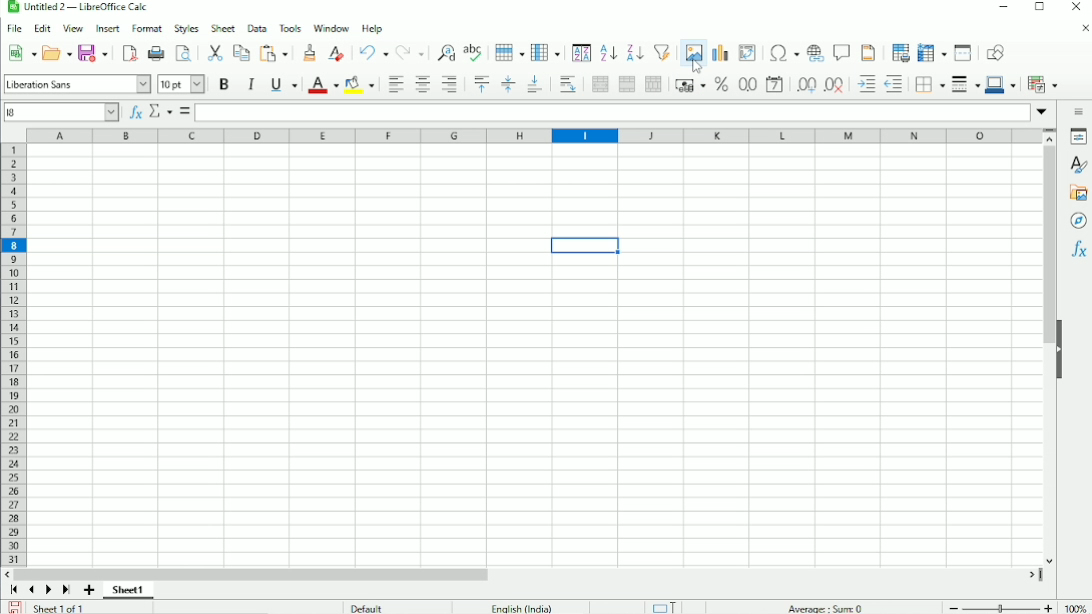 The image size is (1092, 614). What do you see at coordinates (78, 82) in the screenshot?
I see `Liberation sans` at bounding box center [78, 82].